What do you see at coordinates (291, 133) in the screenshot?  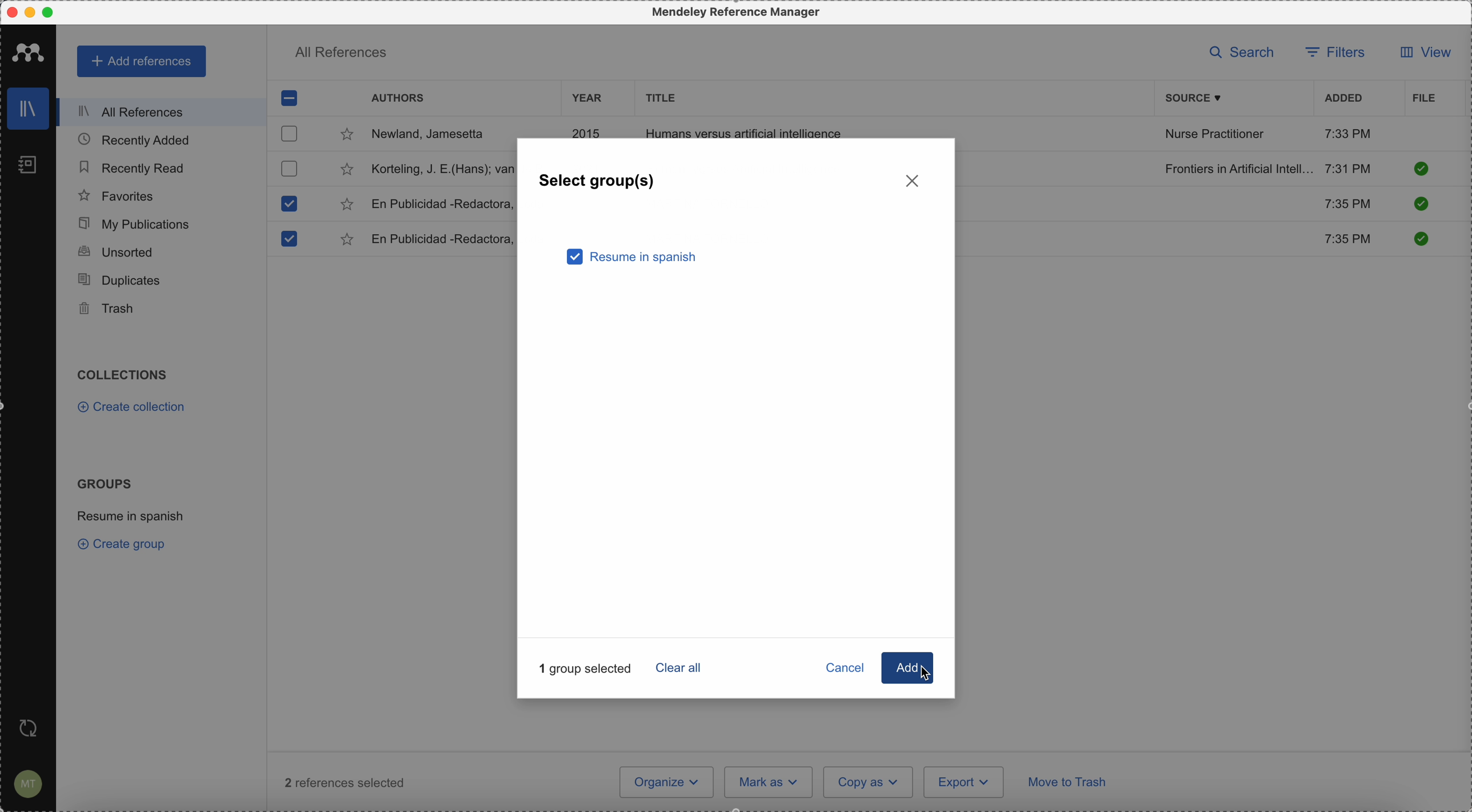 I see `checkbox` at bounding box center [291, 133].